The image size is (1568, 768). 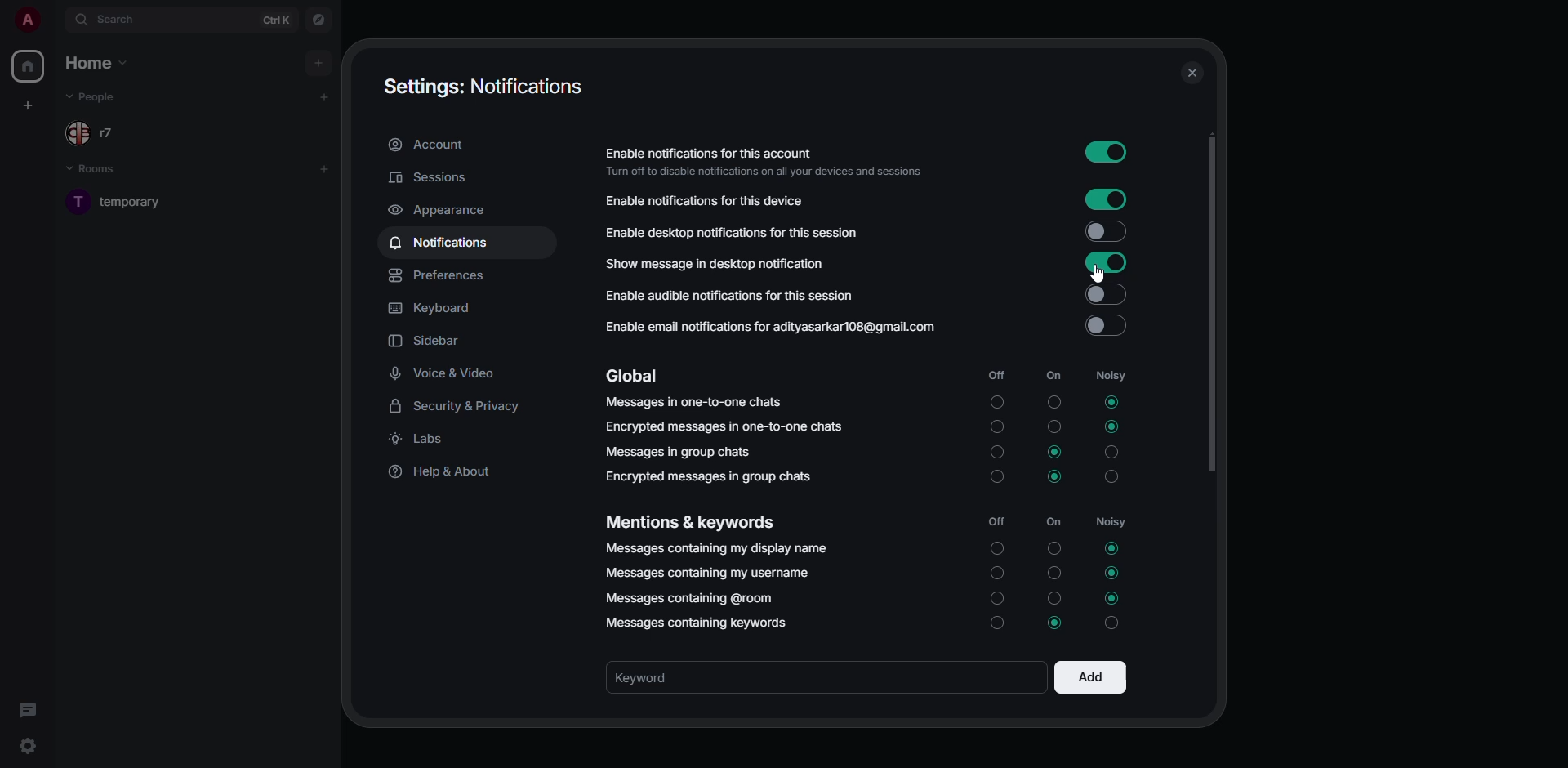 I want to click on Noisy Unselected, so click(x=1116, y=623).